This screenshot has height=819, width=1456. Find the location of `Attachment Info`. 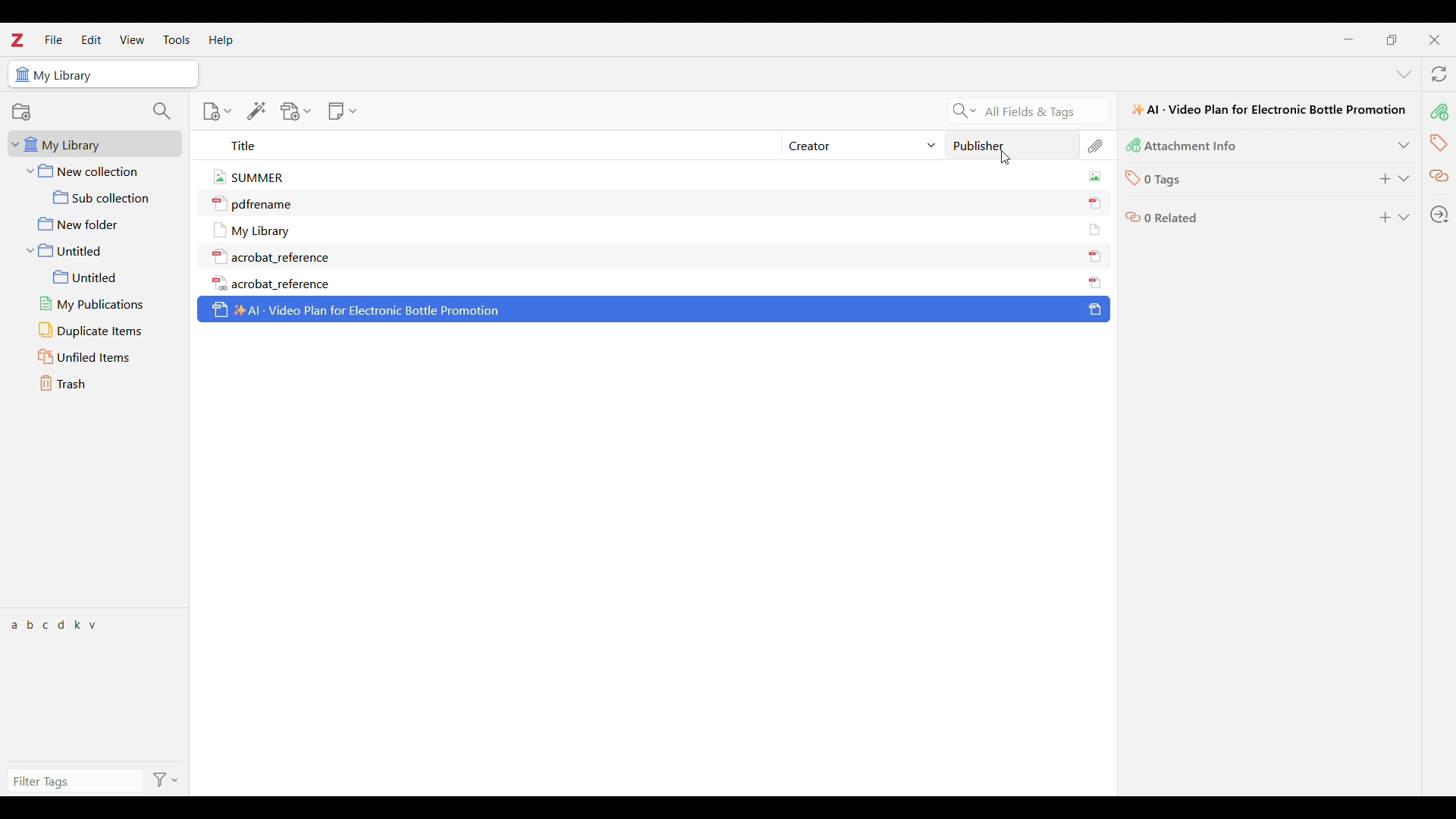

Attachment Info is located at coordinates (1194, 147).